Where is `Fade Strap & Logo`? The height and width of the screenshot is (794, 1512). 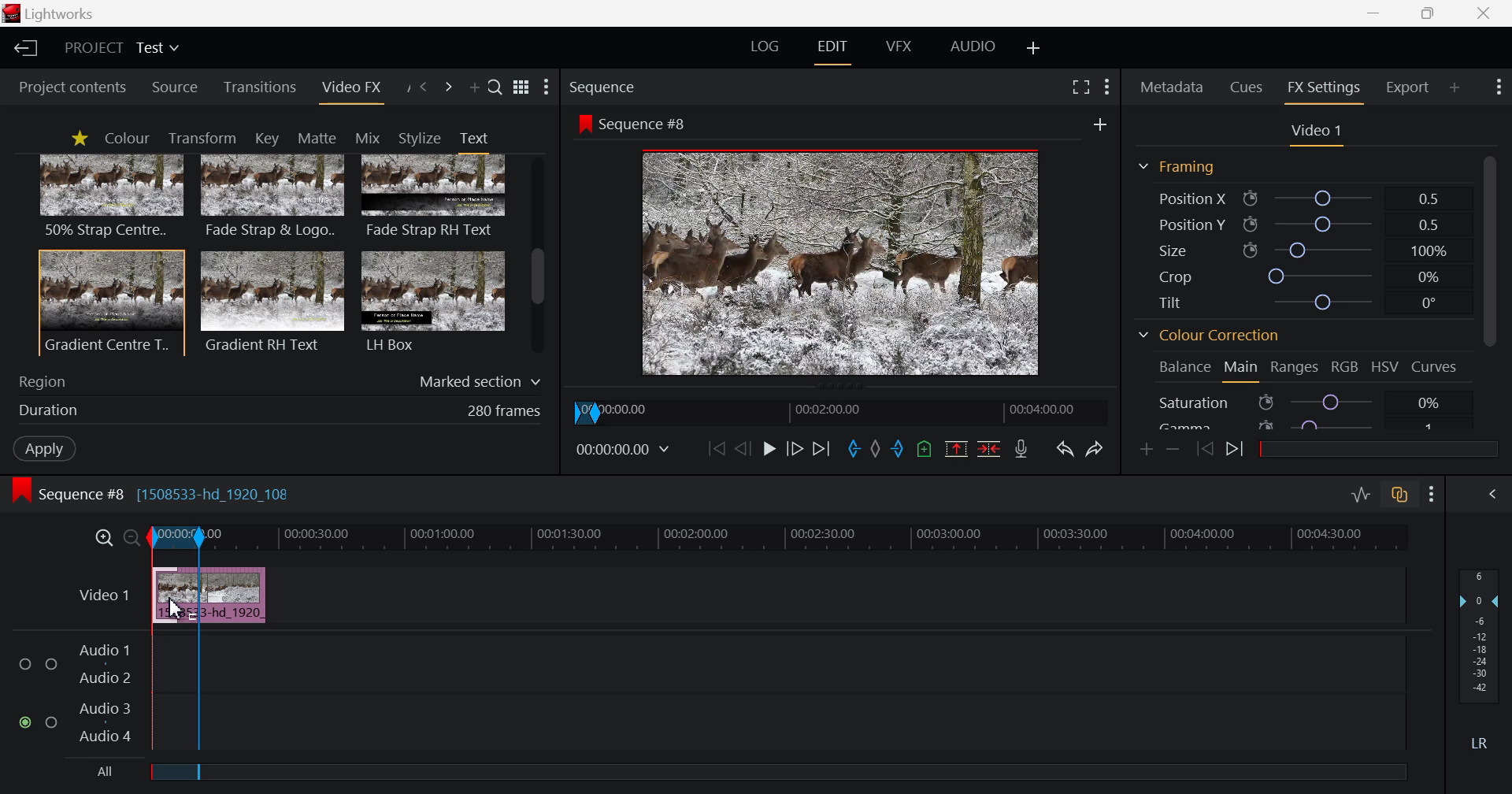 Fade Strap & Logo is located at coordinates (273, 198).